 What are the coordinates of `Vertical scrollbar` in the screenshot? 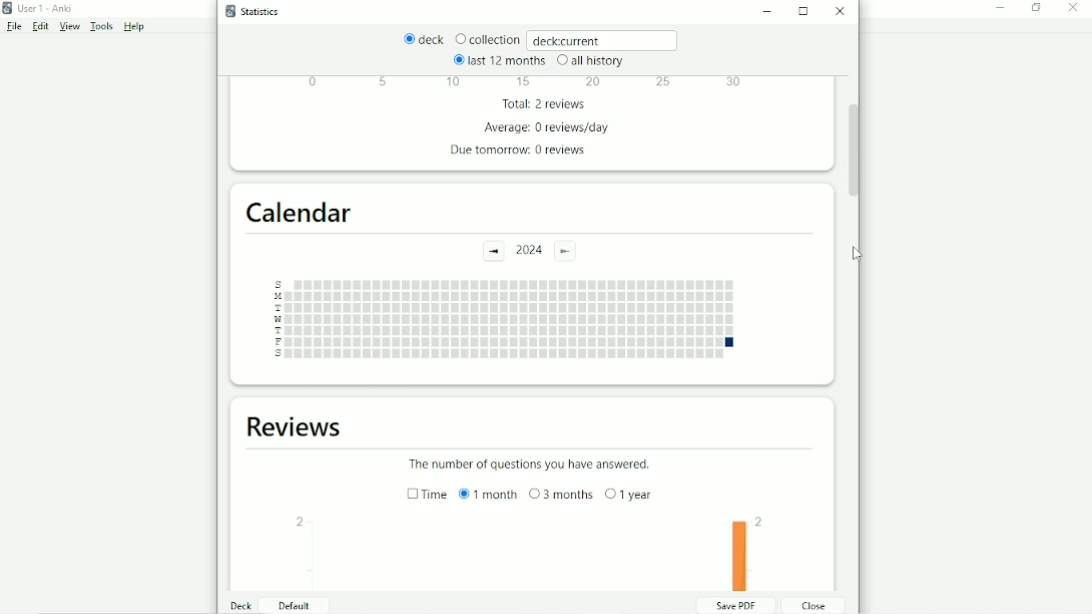 It's located at (857, 153).